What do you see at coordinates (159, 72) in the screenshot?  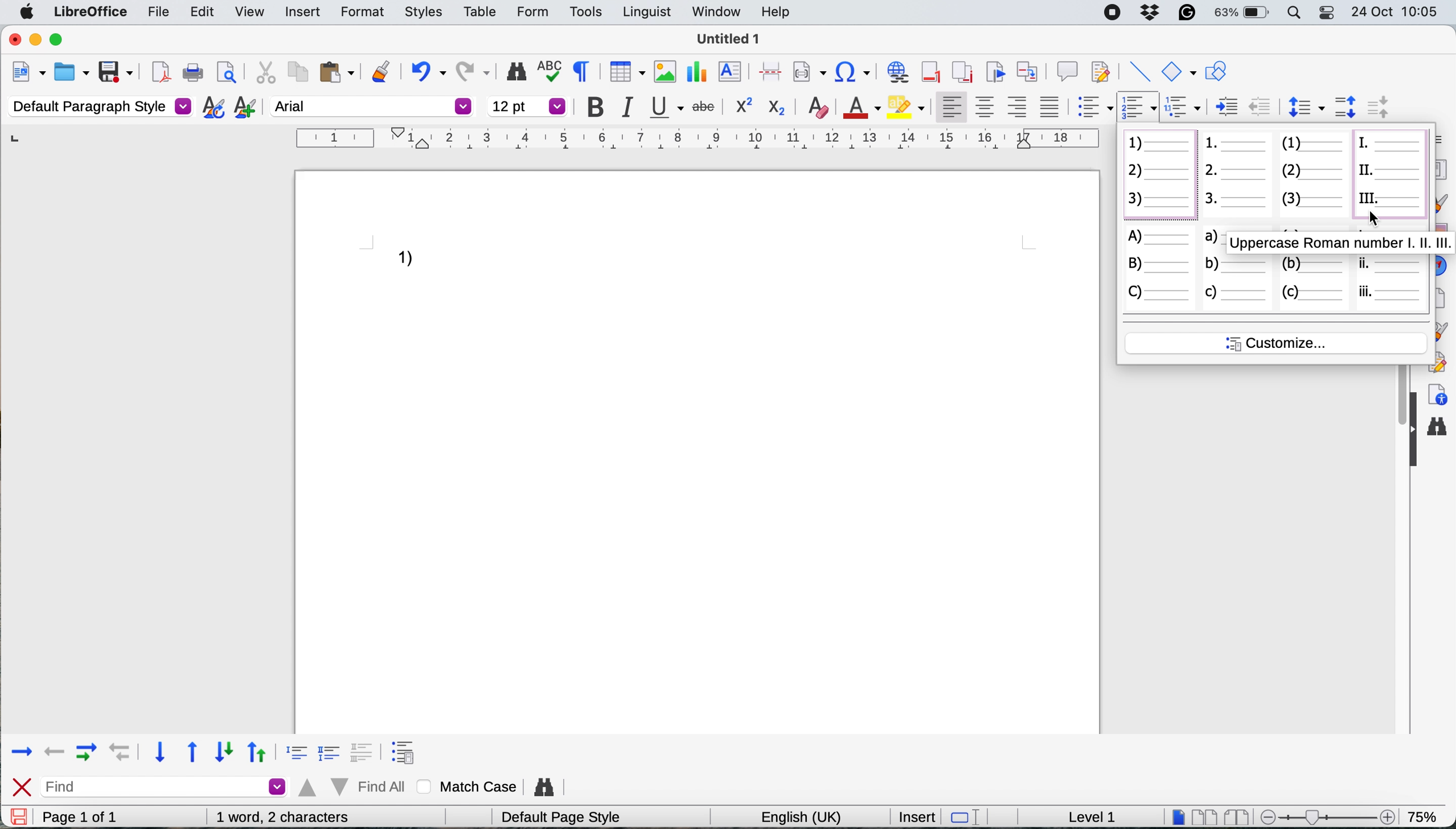 I see `export directly as pdf` at bounding box center [159, 72].